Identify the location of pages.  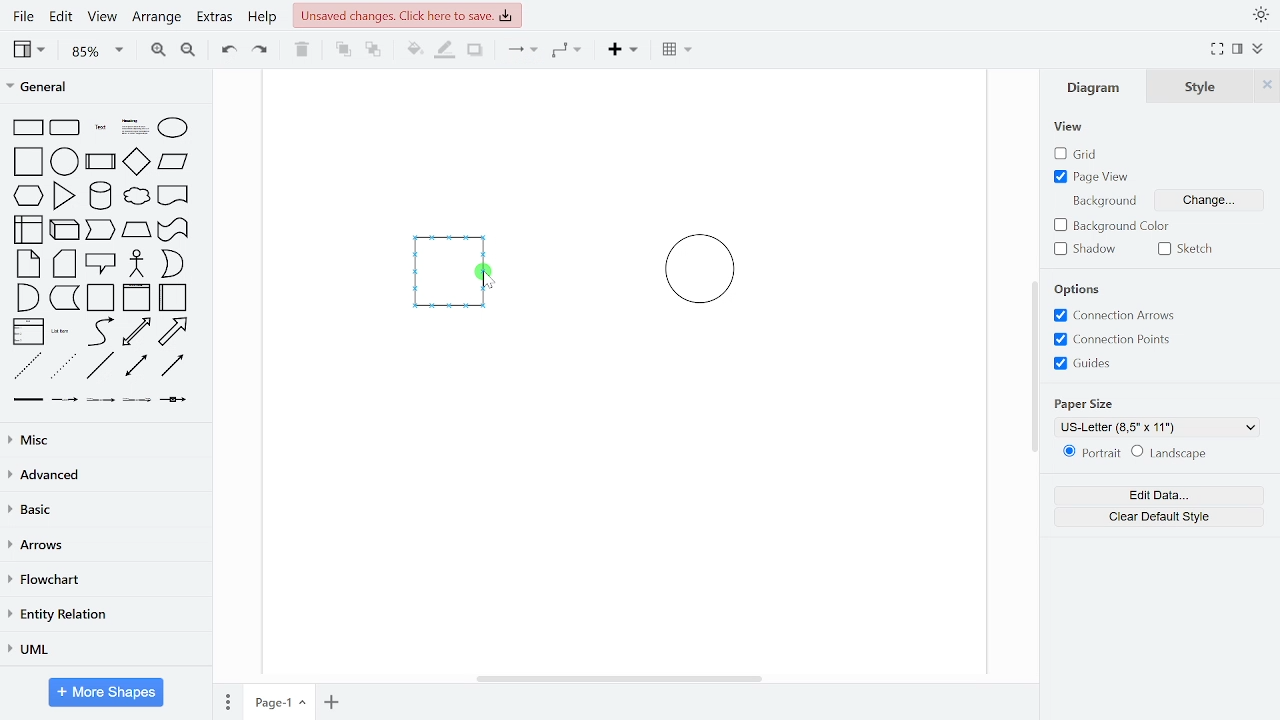
(226, 699).